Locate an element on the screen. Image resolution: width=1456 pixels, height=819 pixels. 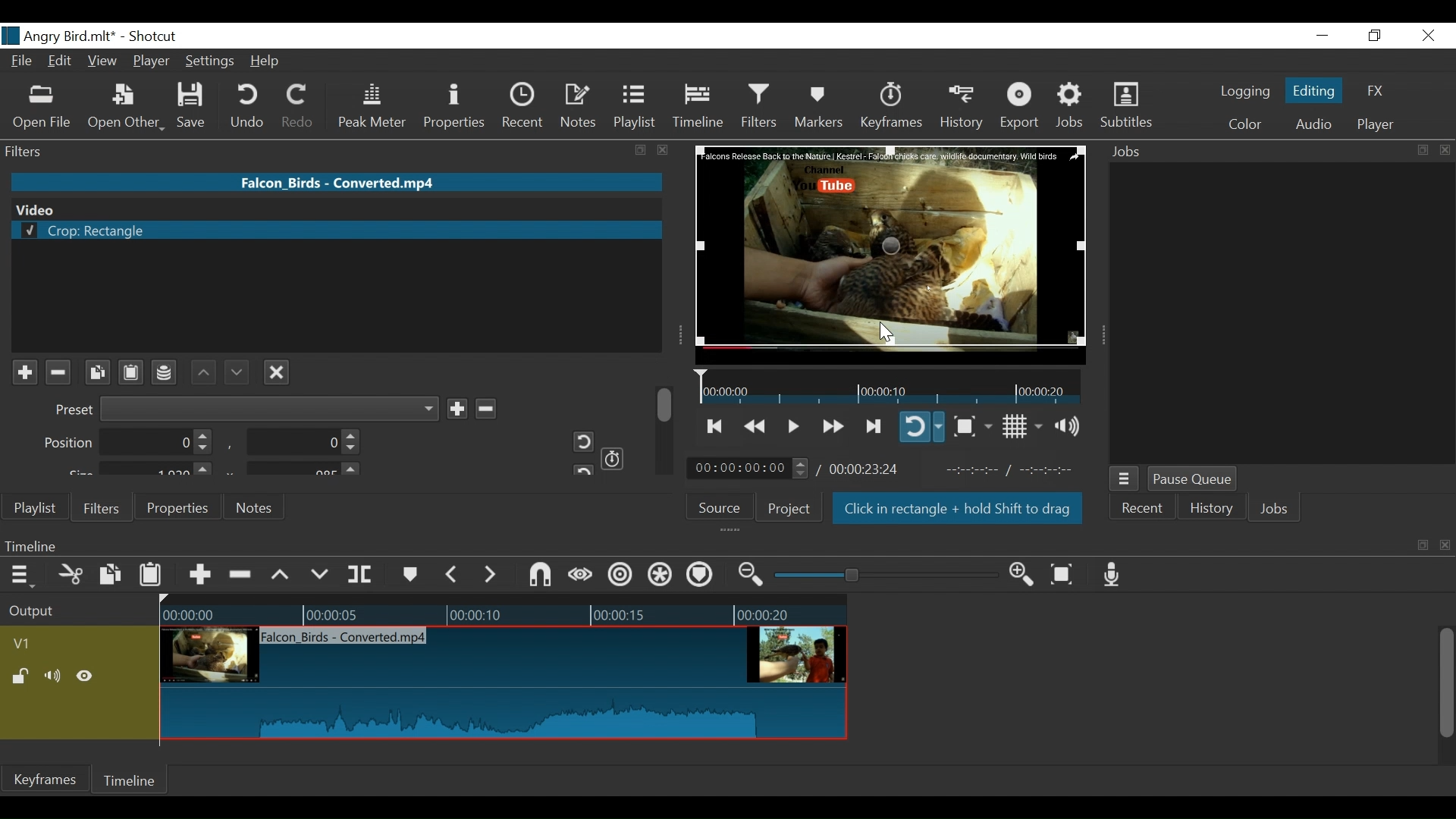
title is located at coordinates (112, 35).